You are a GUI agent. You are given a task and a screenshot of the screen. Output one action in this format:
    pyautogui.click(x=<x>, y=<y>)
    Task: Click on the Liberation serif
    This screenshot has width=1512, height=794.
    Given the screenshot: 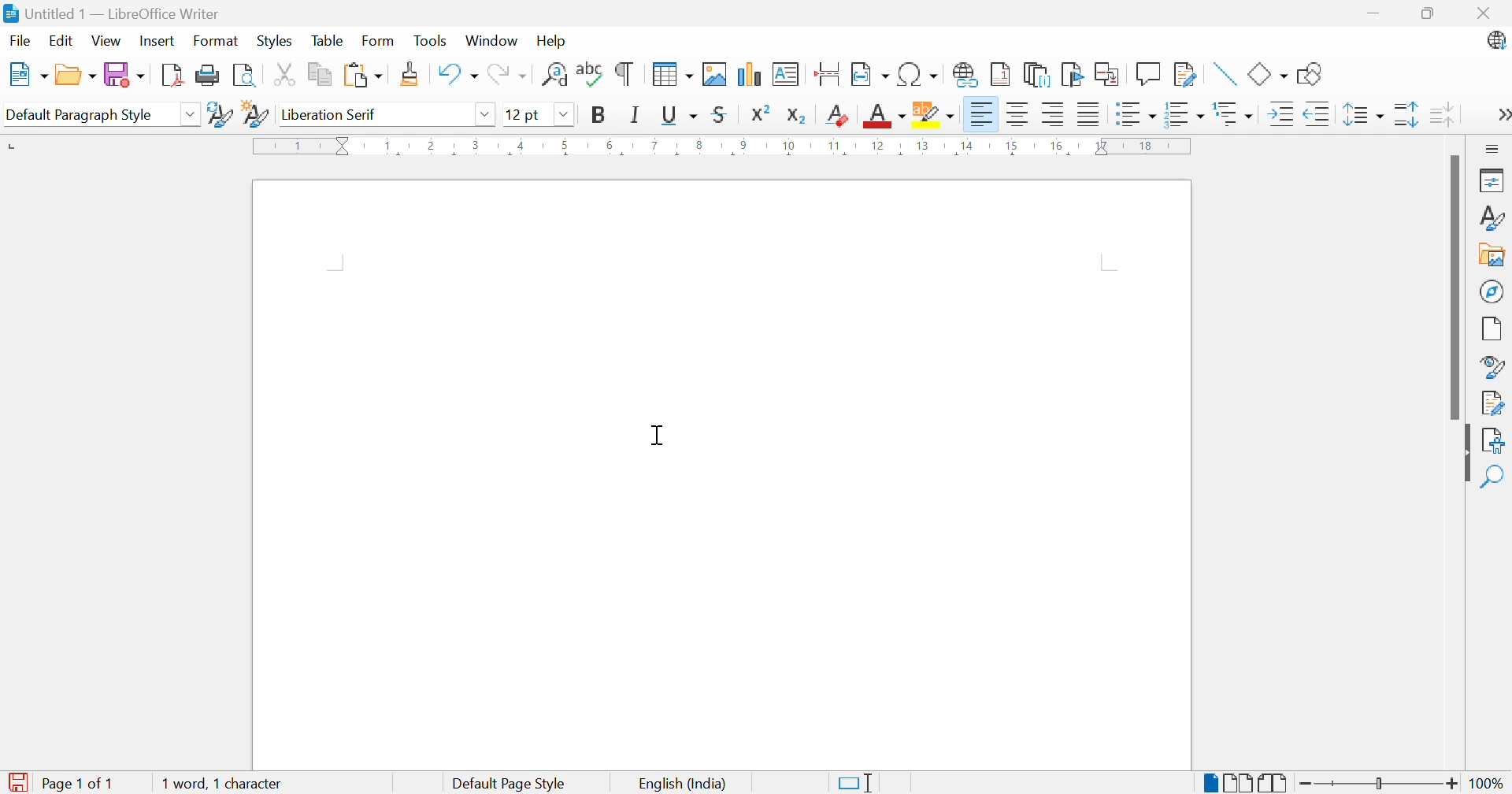 What is the action you would take?
    pyautogui.click(x=331, y=115)
    